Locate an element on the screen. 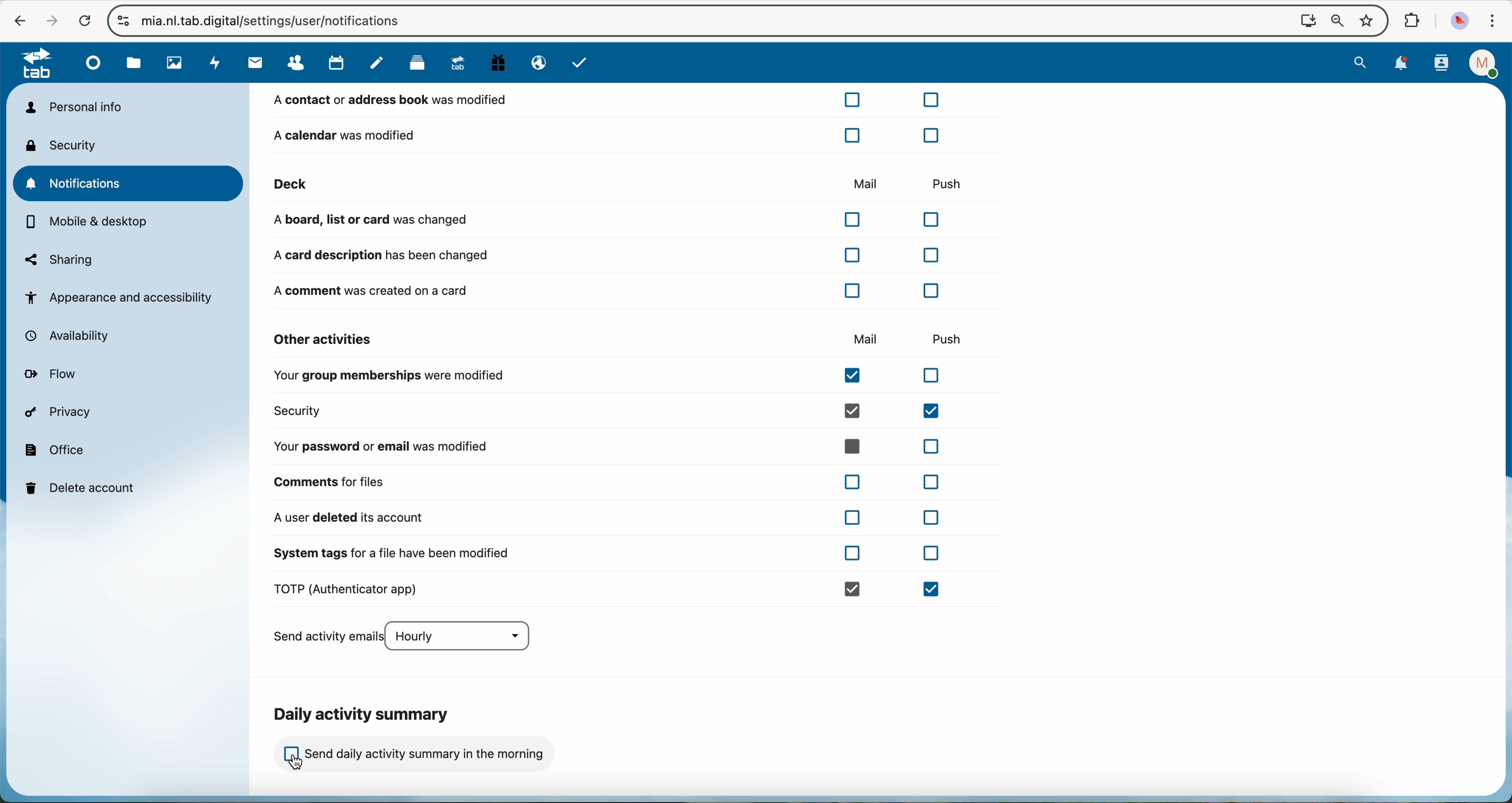  mouse is located at coordinates (303, 766).